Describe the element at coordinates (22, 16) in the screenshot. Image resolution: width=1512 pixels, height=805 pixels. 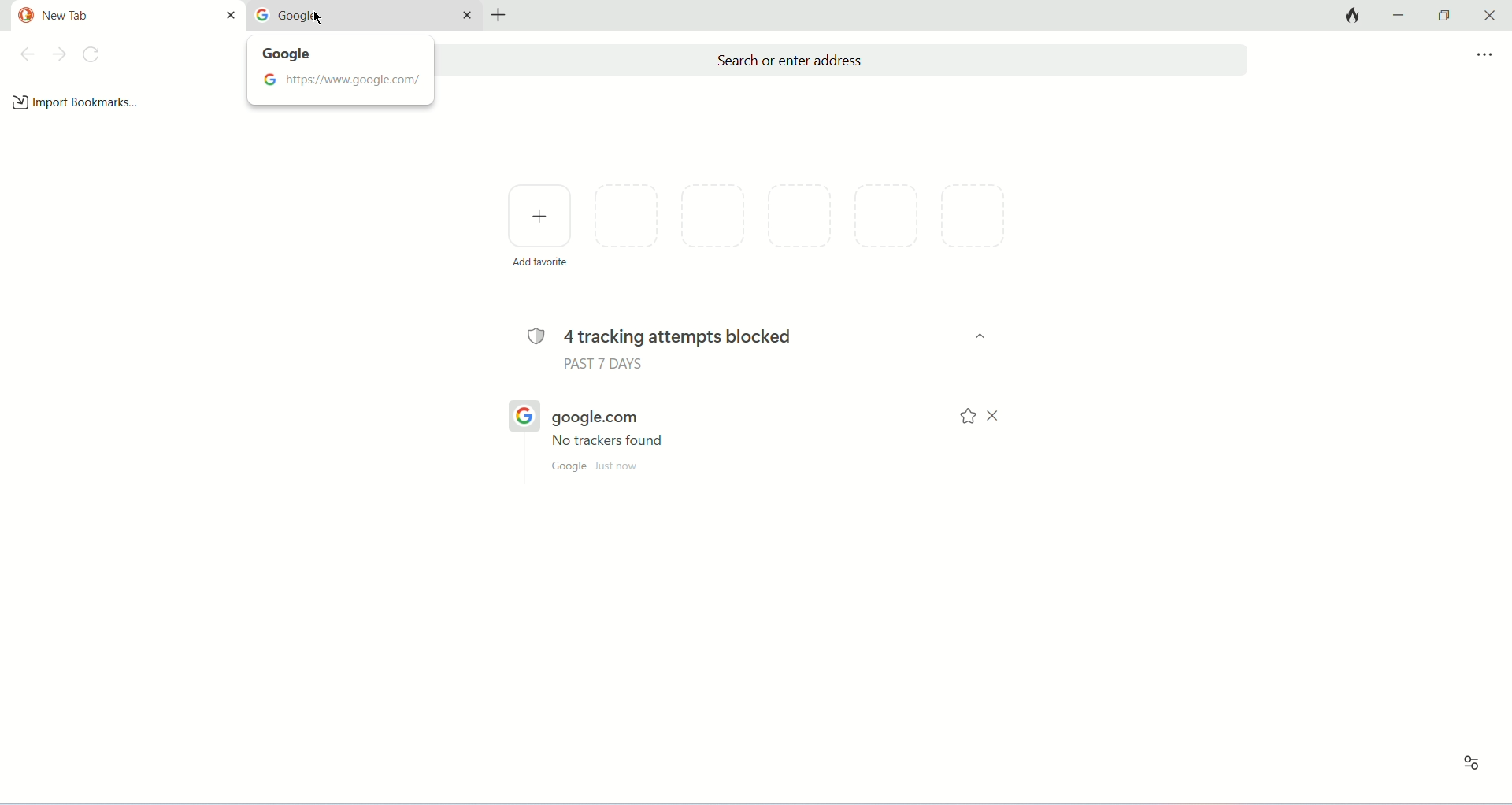
I see `duck duck go logo` at that location.